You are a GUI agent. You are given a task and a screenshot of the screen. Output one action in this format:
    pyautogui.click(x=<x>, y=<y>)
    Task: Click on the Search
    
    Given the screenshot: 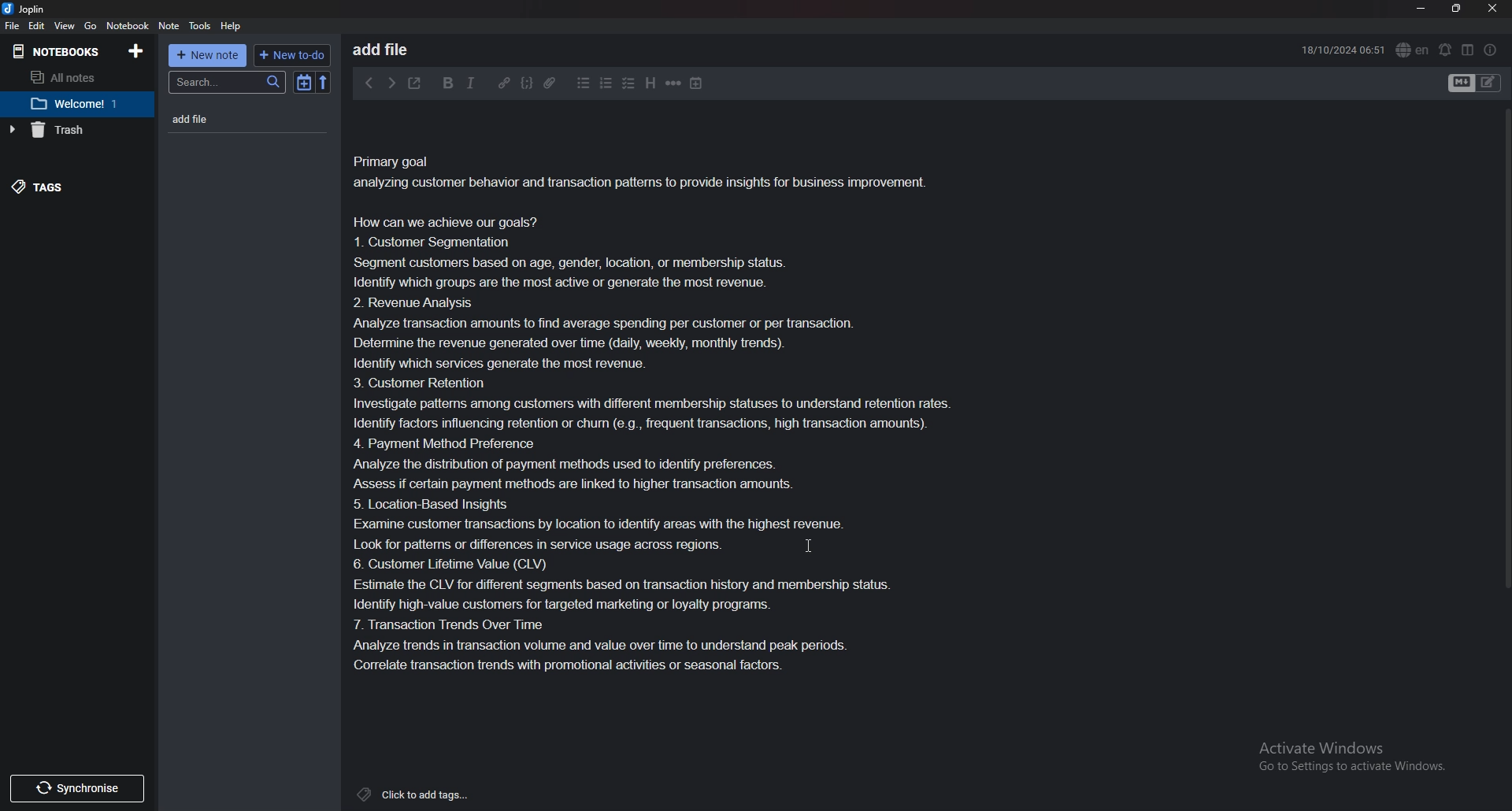 What is the action you would take?
    pyautogui.click(x=228, y=83)
    